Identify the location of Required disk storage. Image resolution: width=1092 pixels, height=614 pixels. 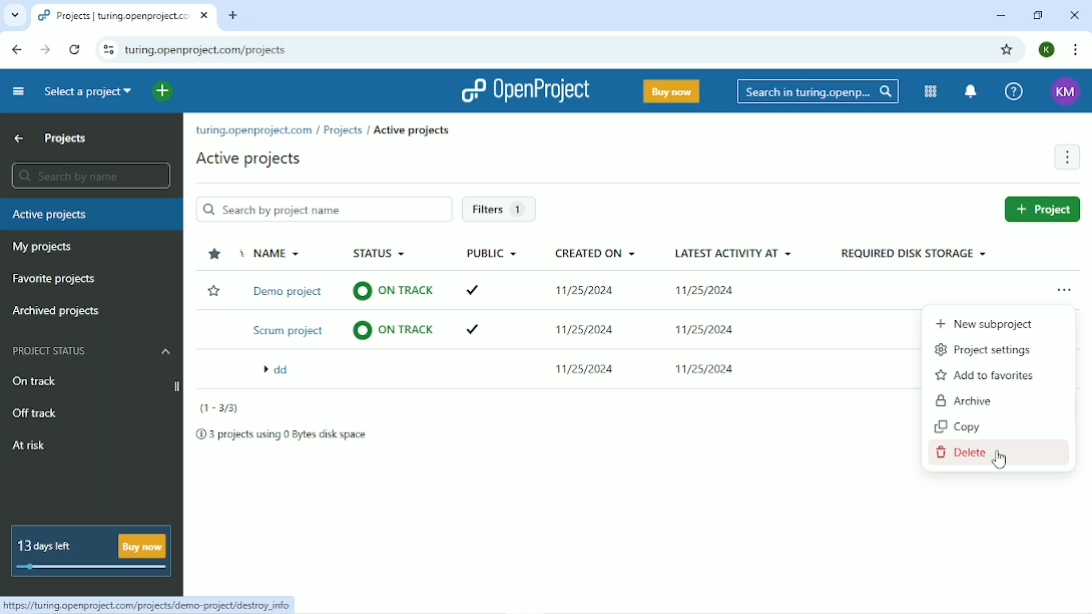
(912, 255).